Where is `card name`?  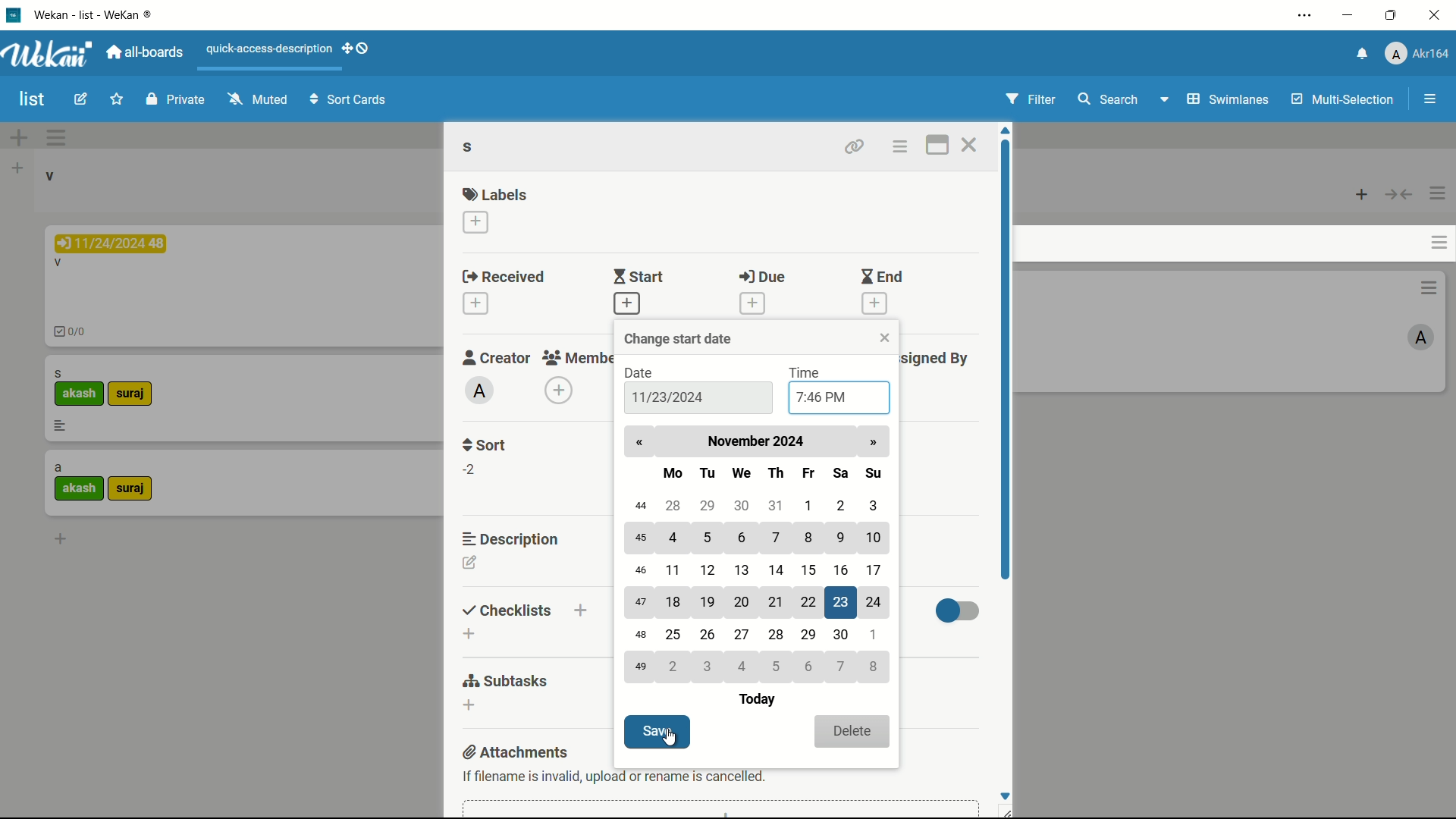 card name is located at coordinates (471, 149).